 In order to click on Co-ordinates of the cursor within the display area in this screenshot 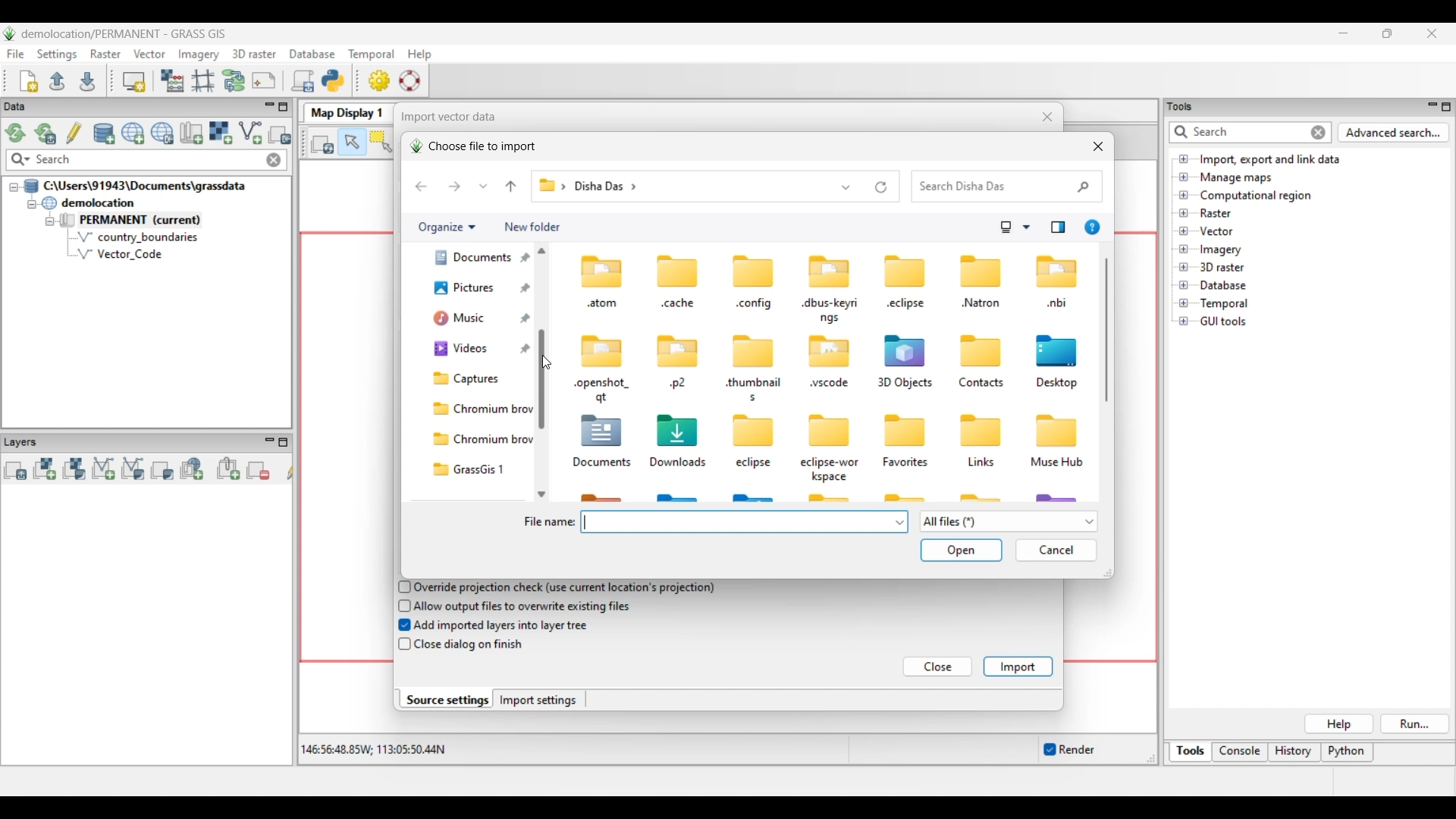, I will do `click(371, 750)`.